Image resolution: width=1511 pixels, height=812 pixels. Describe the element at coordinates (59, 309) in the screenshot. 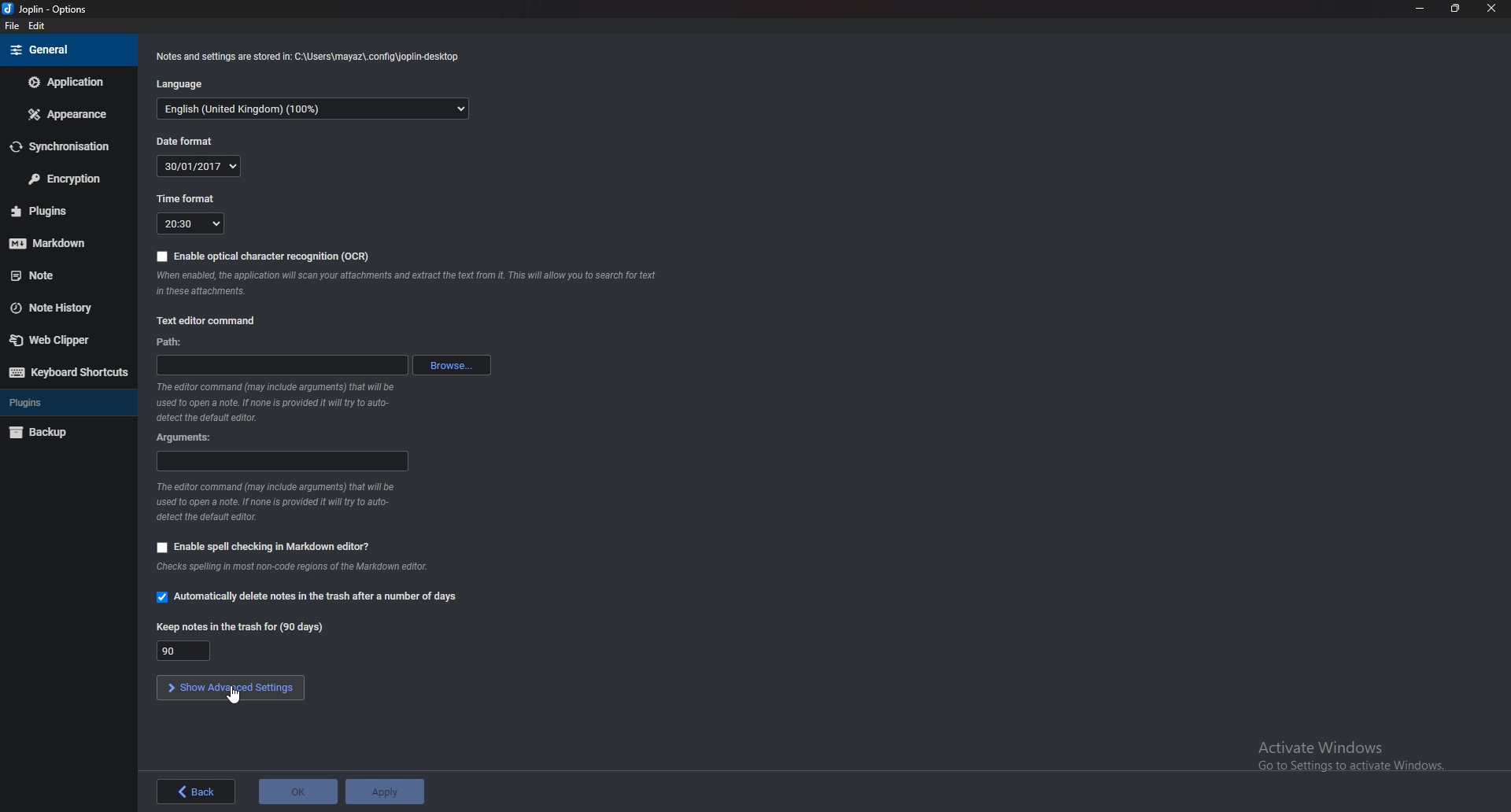

I see `Note history` at that location.